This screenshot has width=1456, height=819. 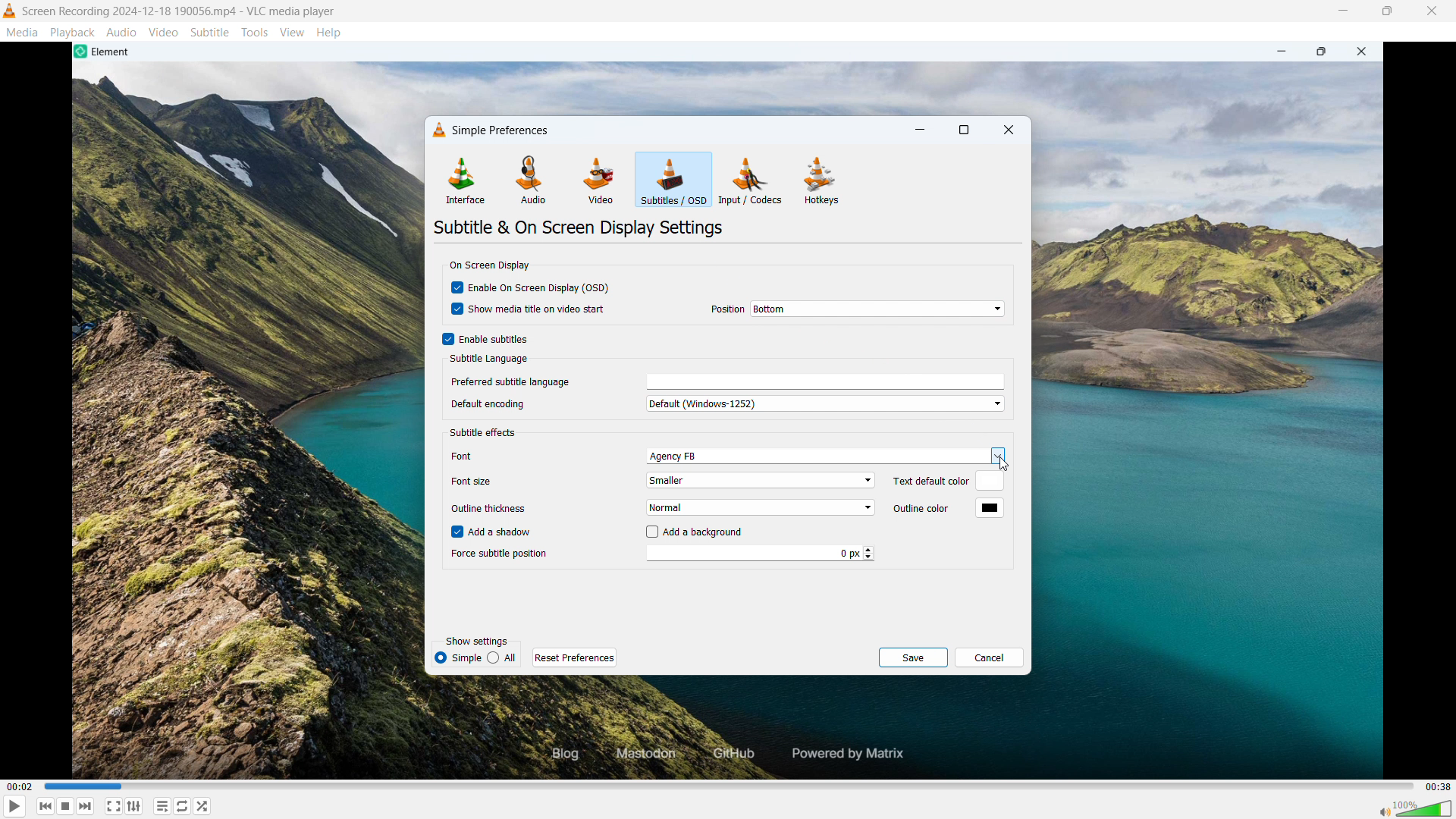 I want to click on save, so click(x=912, y=657).